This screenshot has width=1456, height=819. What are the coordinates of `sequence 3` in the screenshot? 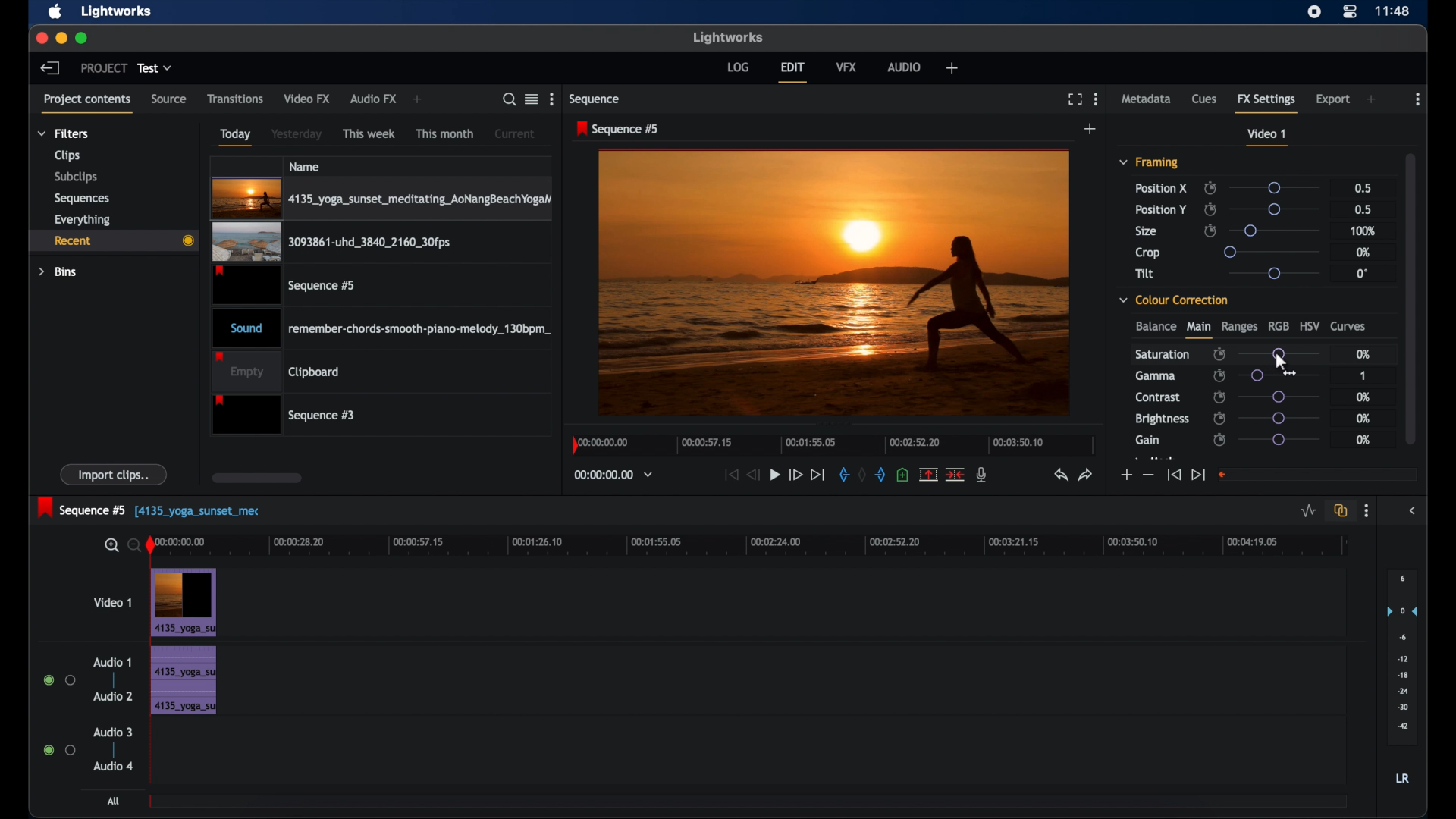 It's located at (284, 414).